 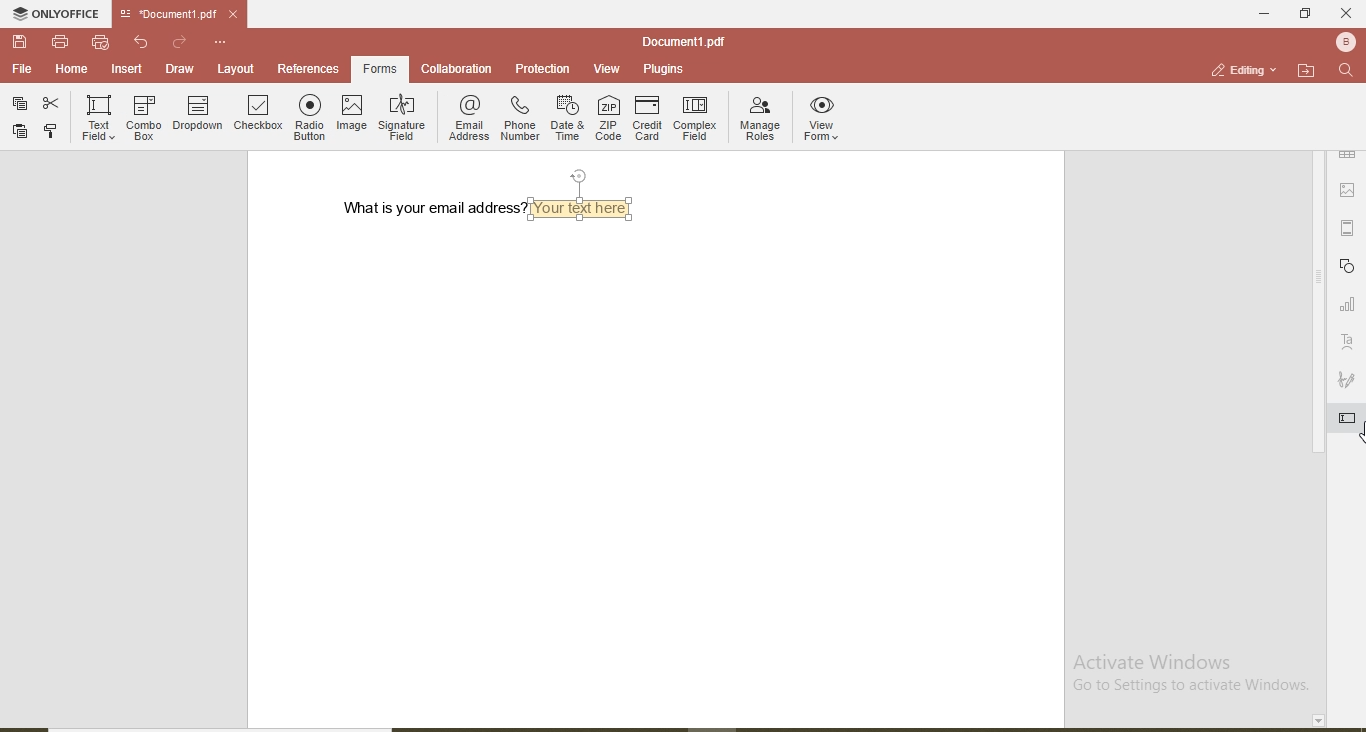 I want to click on view forms, so click(x=825, y=121).